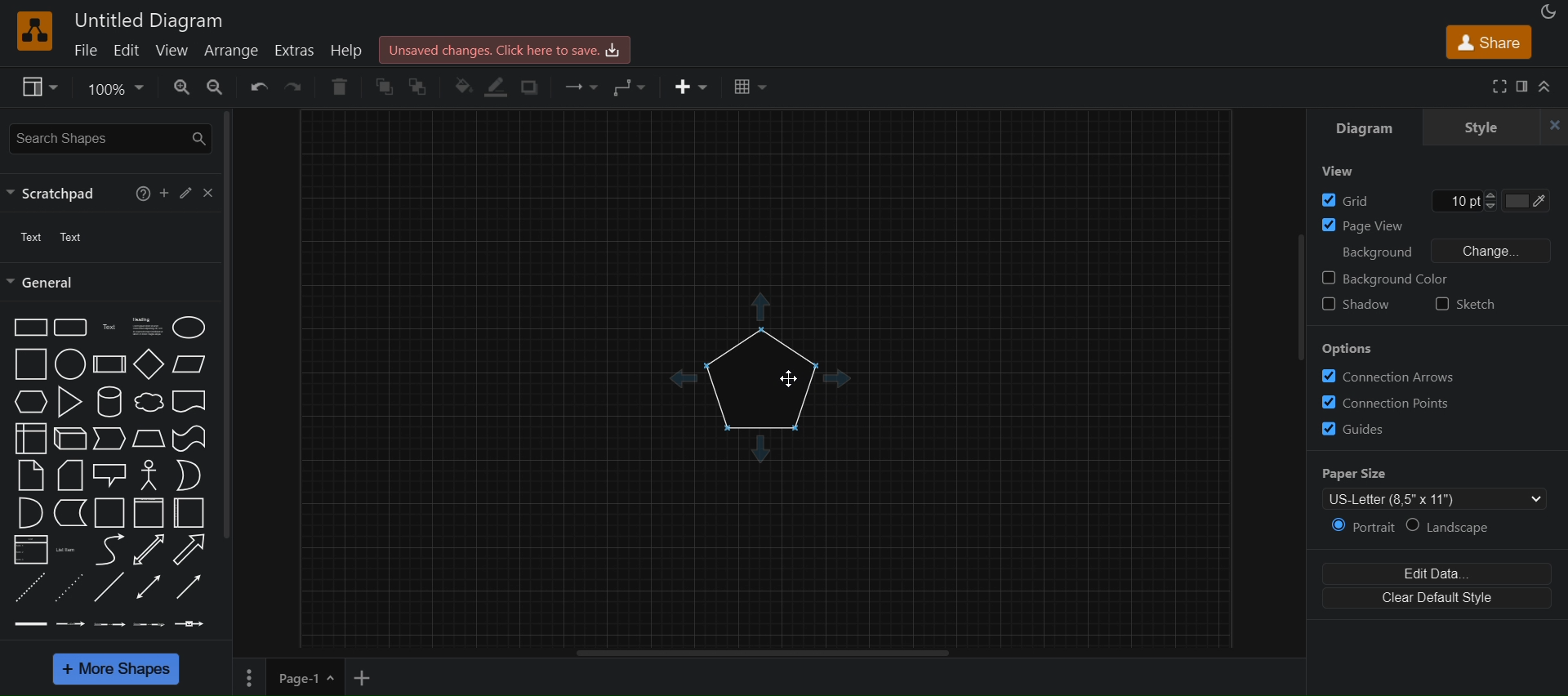 This screenshot has width=1568, height=696. Describe the element at coordinates (189, 550) in the screenshot. I see `Arrow` at that location.